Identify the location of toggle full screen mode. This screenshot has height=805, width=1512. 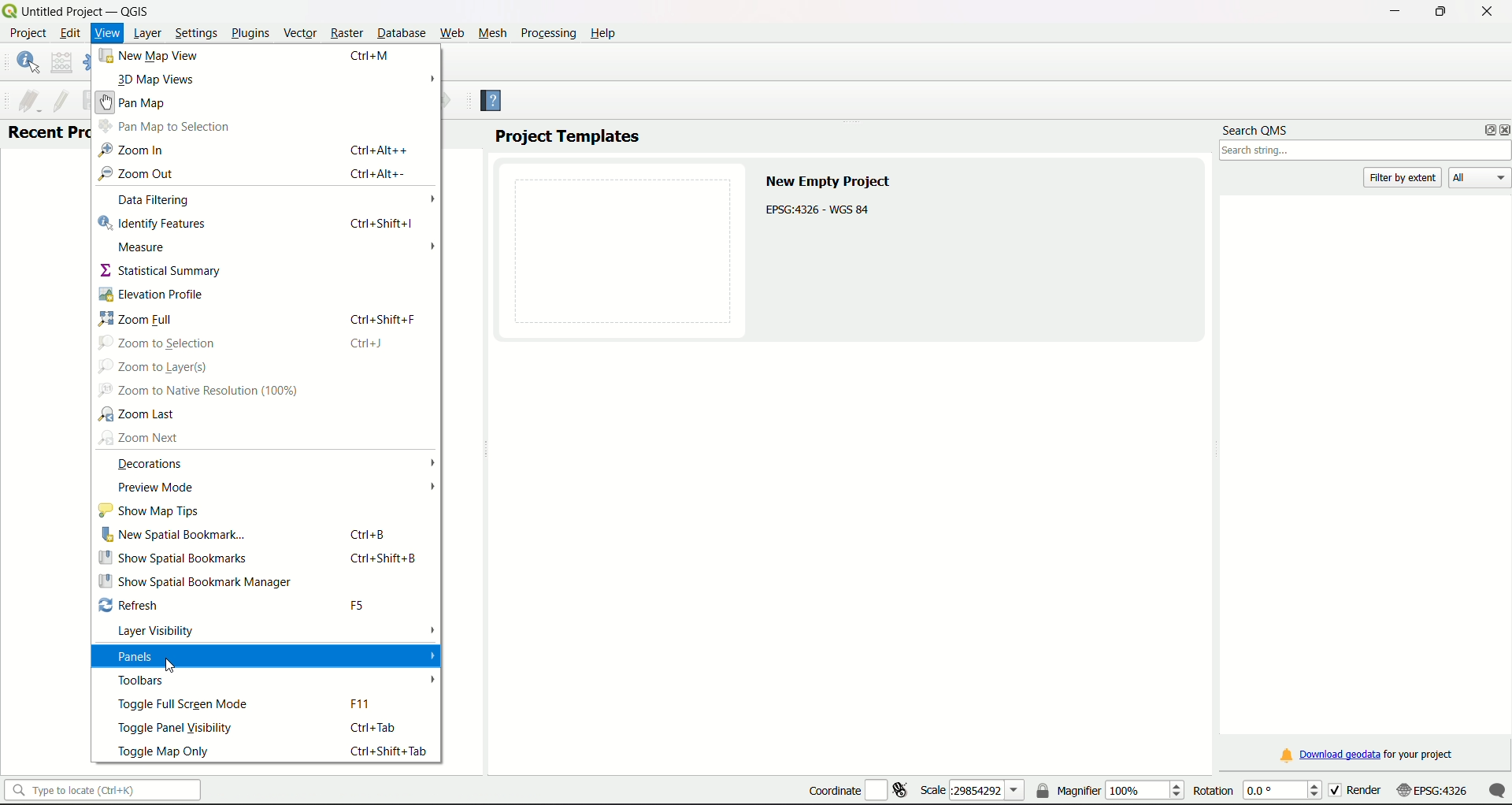
(183, 705).